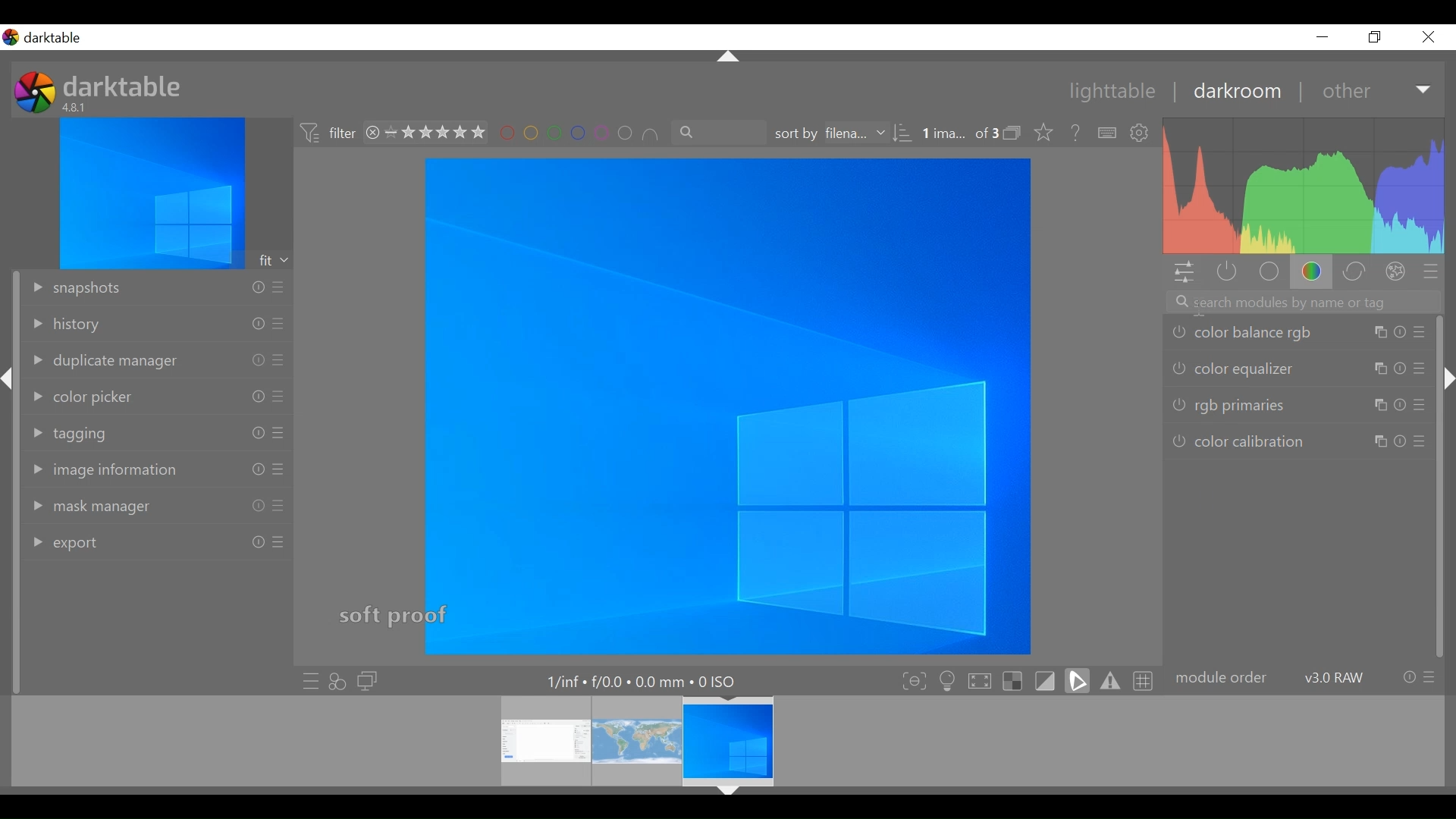 Image resolution: width=1456 pixels, height=819 pixels. What do you see at coordinates (1345, 92) in the screenshot?
I see `other` at bounding box center [1345, 92].